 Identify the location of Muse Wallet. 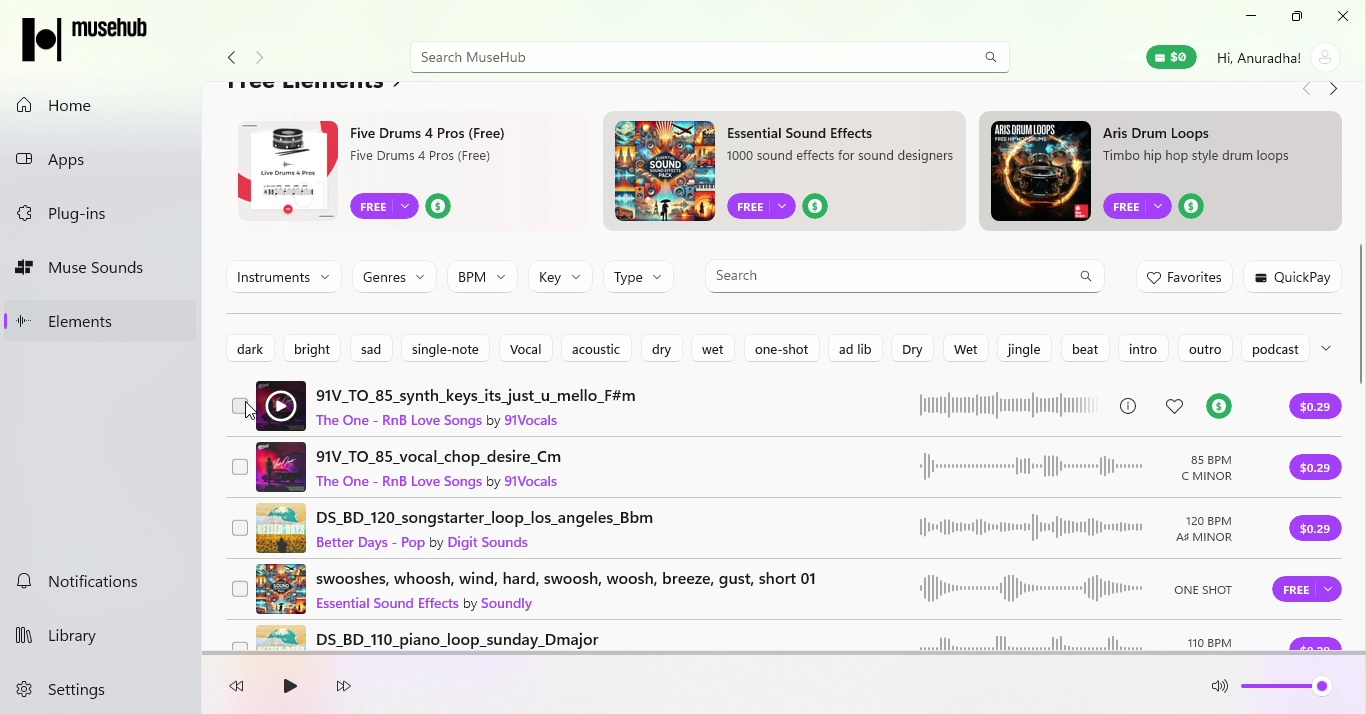
(1170, 57).